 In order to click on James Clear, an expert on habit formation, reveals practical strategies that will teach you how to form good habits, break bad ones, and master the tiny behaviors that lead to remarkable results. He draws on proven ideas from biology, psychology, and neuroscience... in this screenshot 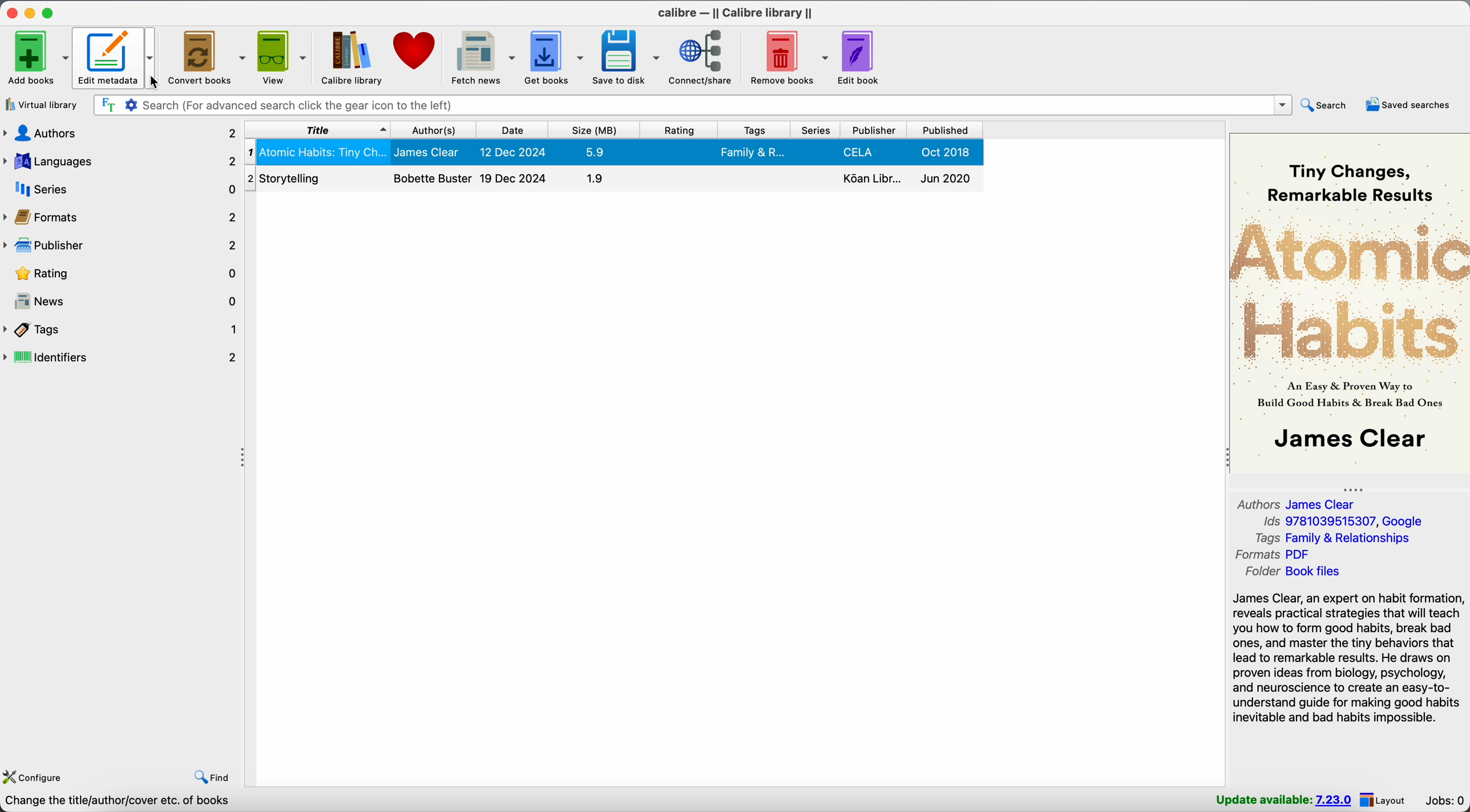, I will do `click(1348, 660)`.